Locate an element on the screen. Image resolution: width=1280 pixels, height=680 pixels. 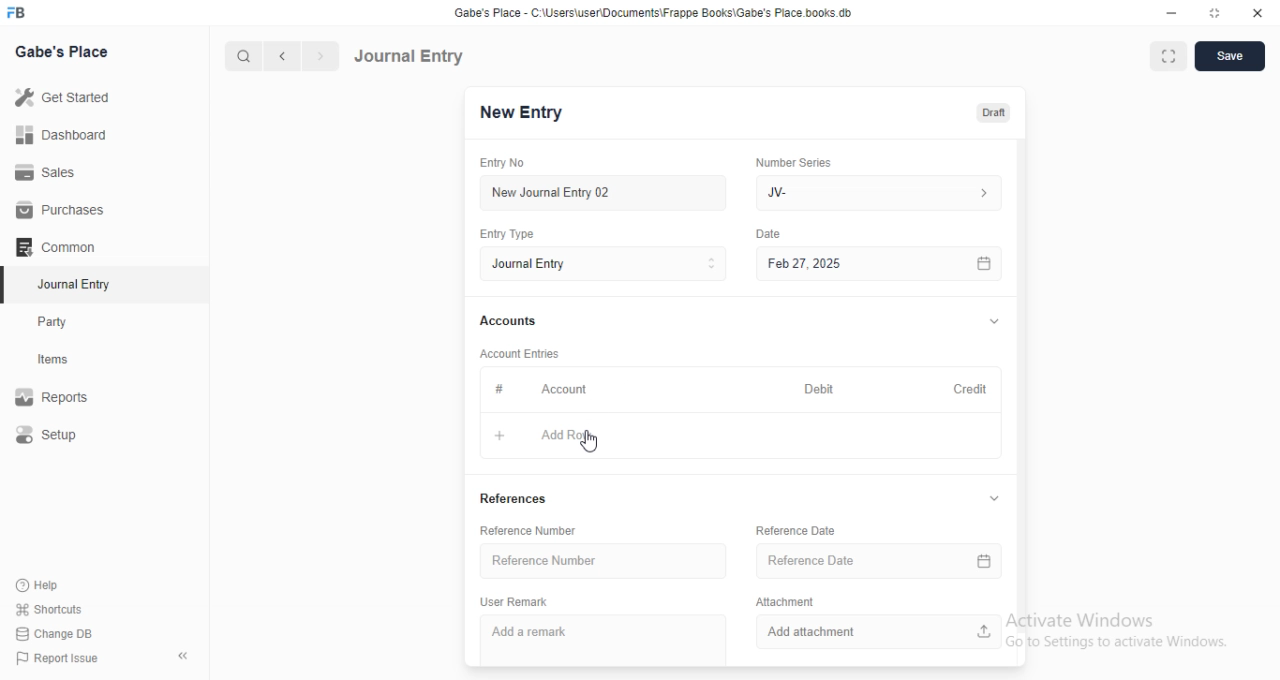
Party is located at coordinates (54, 322).